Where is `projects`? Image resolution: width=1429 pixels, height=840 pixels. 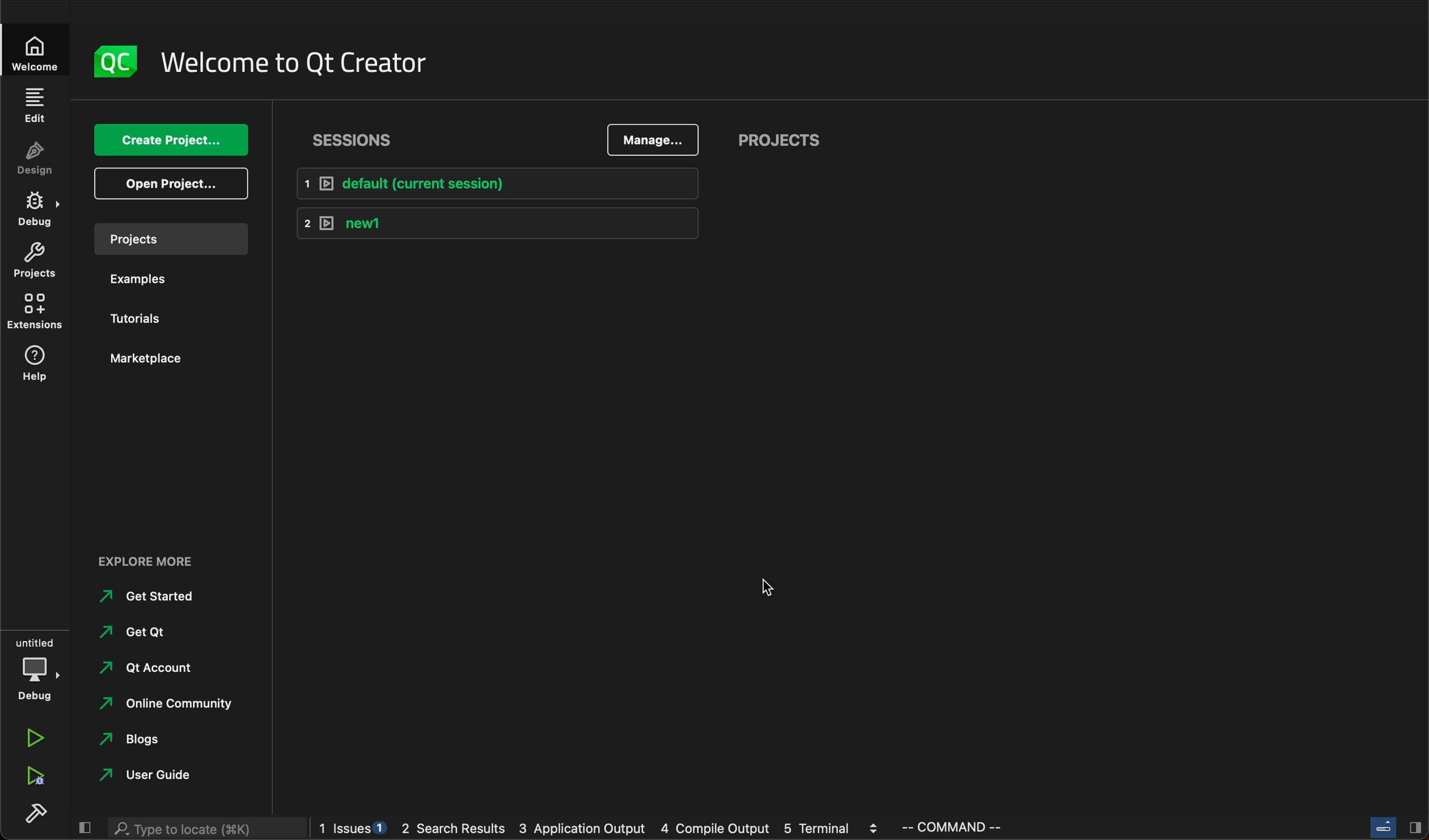
projects is located at coordinates (780, 138).